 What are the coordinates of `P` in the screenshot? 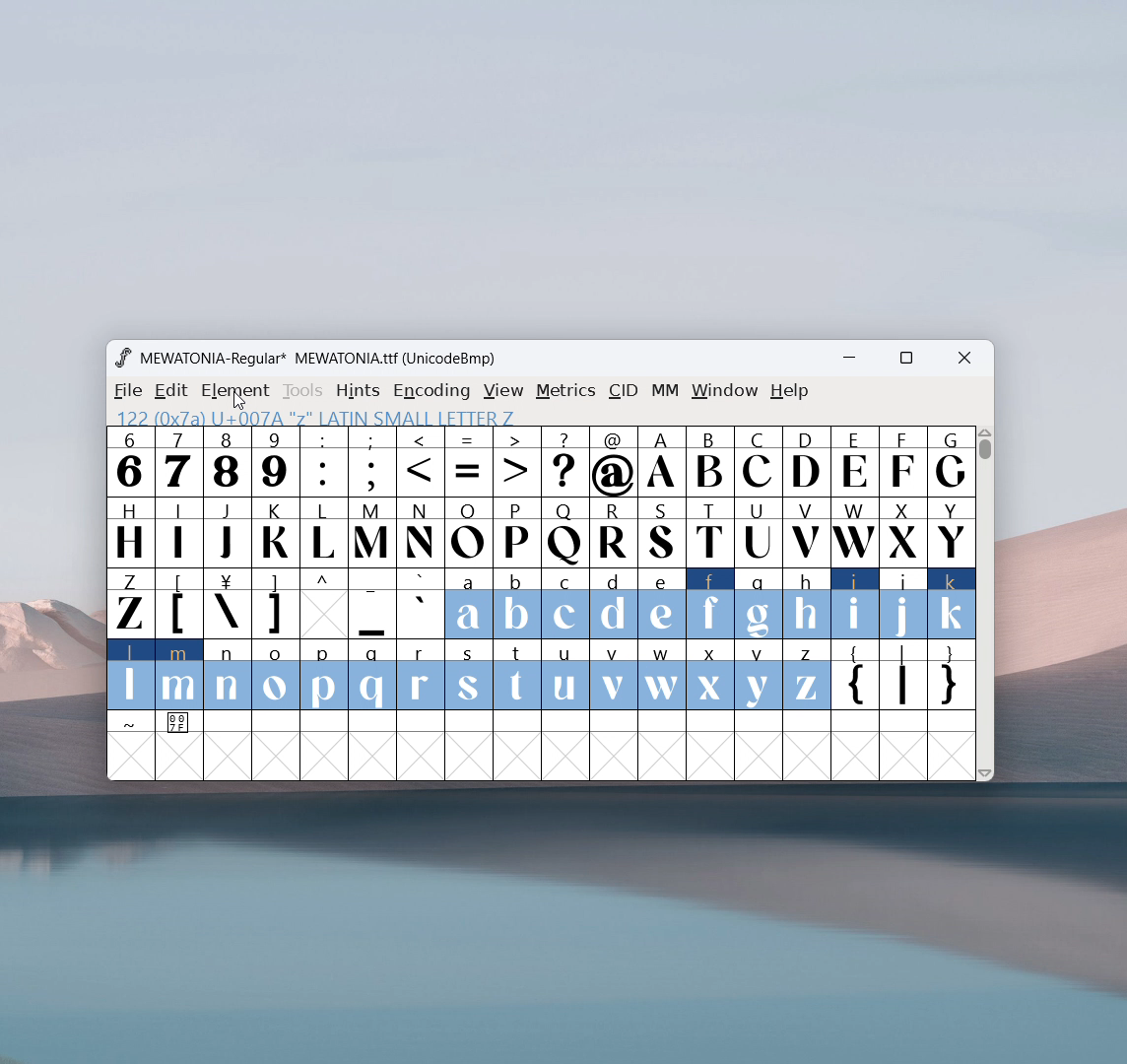 It's located at (516, 534).